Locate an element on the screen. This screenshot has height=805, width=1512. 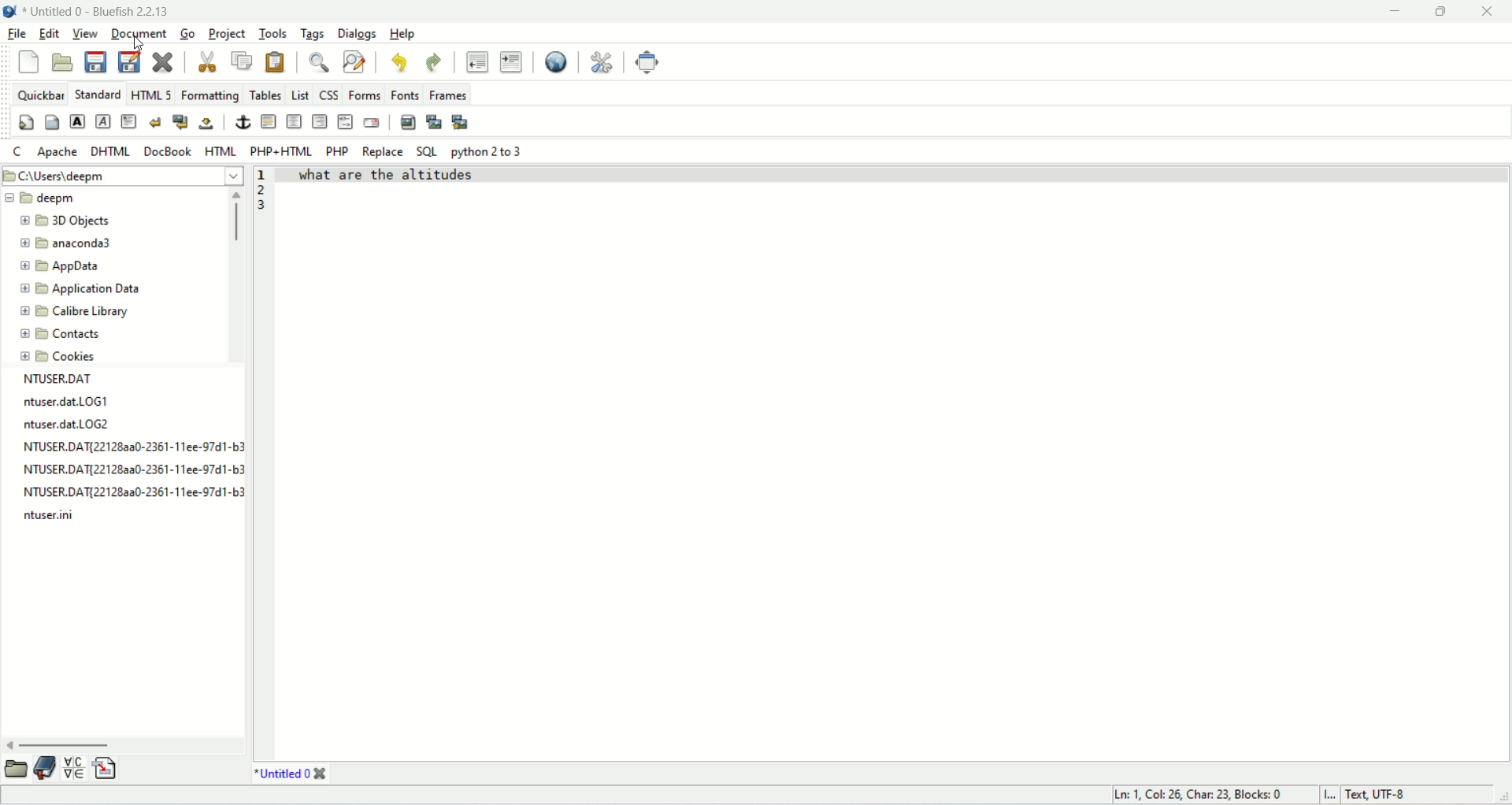
new is located at coordinates (25, 63).